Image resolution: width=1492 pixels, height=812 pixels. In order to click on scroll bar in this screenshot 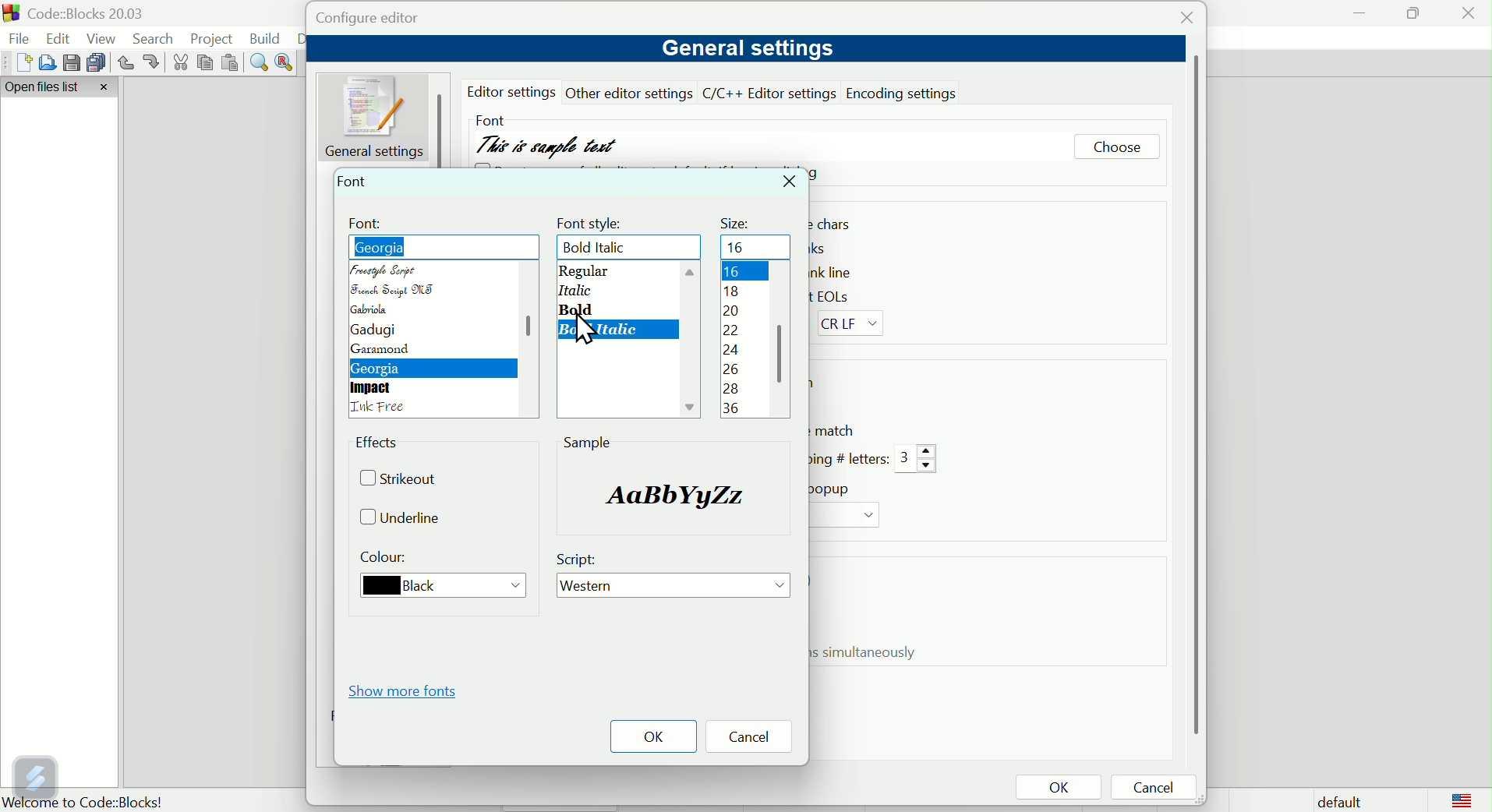, I will do `click(524, 334)`.